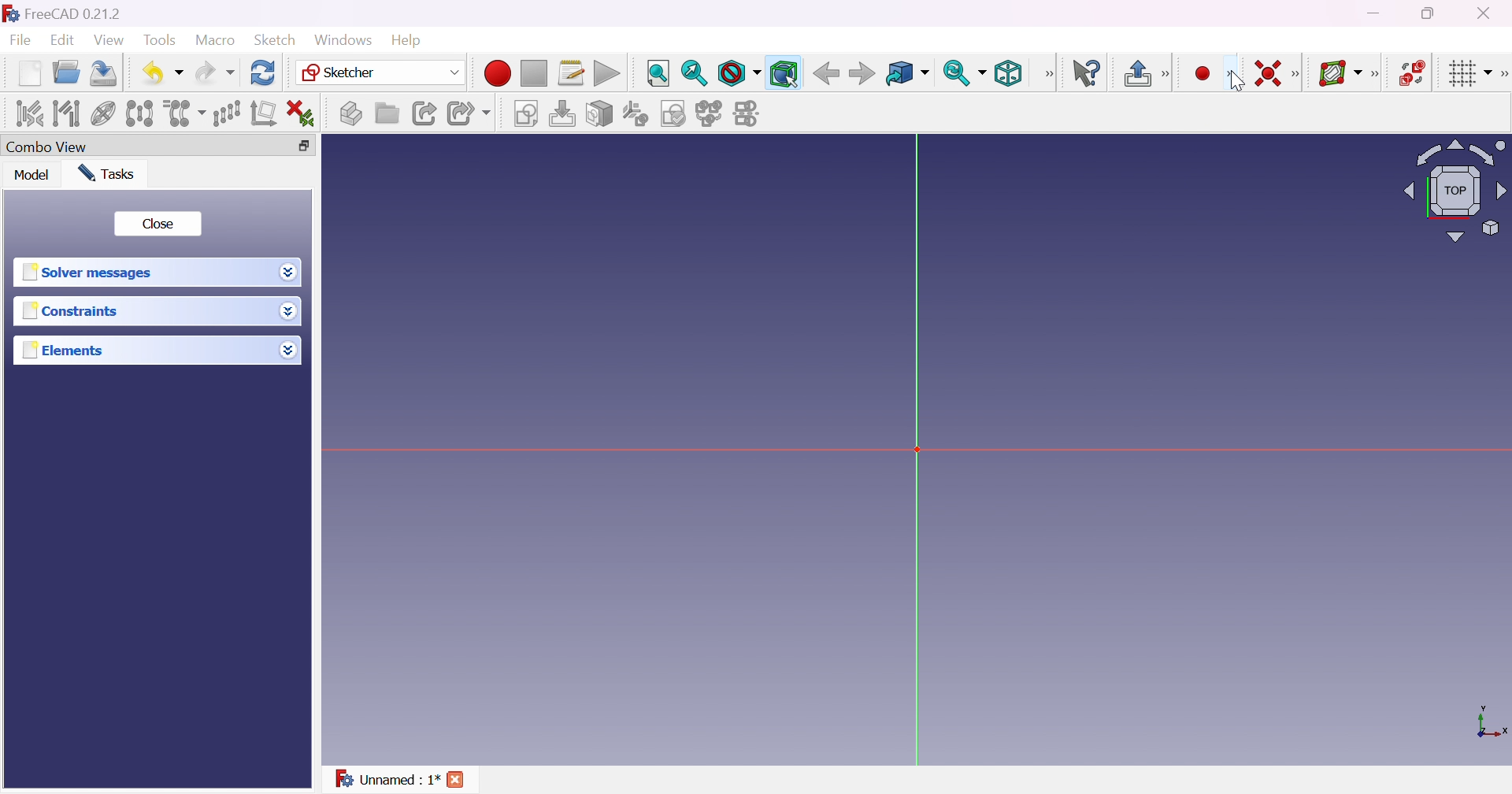  Describe the element at coordinates (215, 42) in the screenshot. I see `Macro` at that location.